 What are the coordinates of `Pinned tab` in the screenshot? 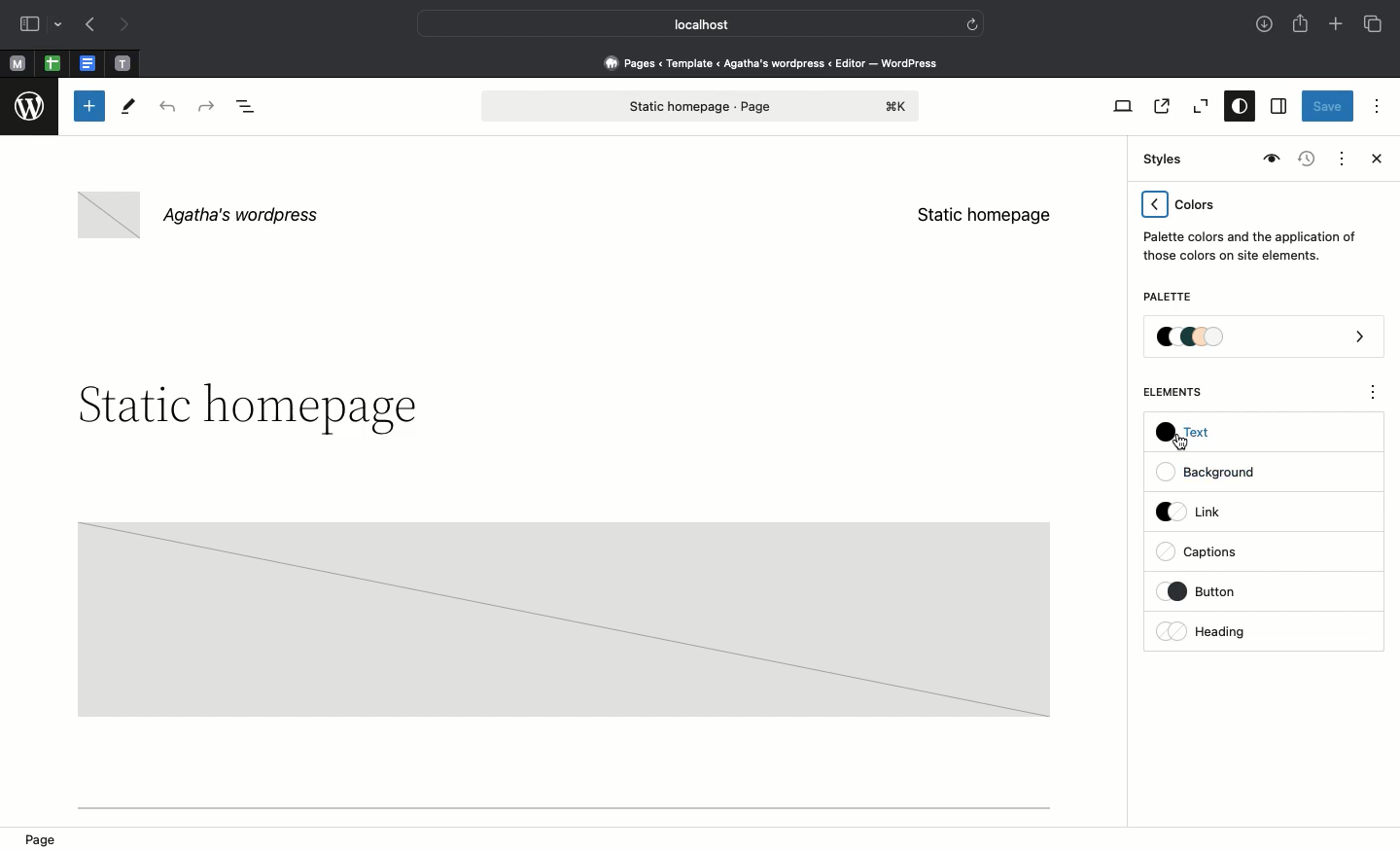 It's located at (17, 64).